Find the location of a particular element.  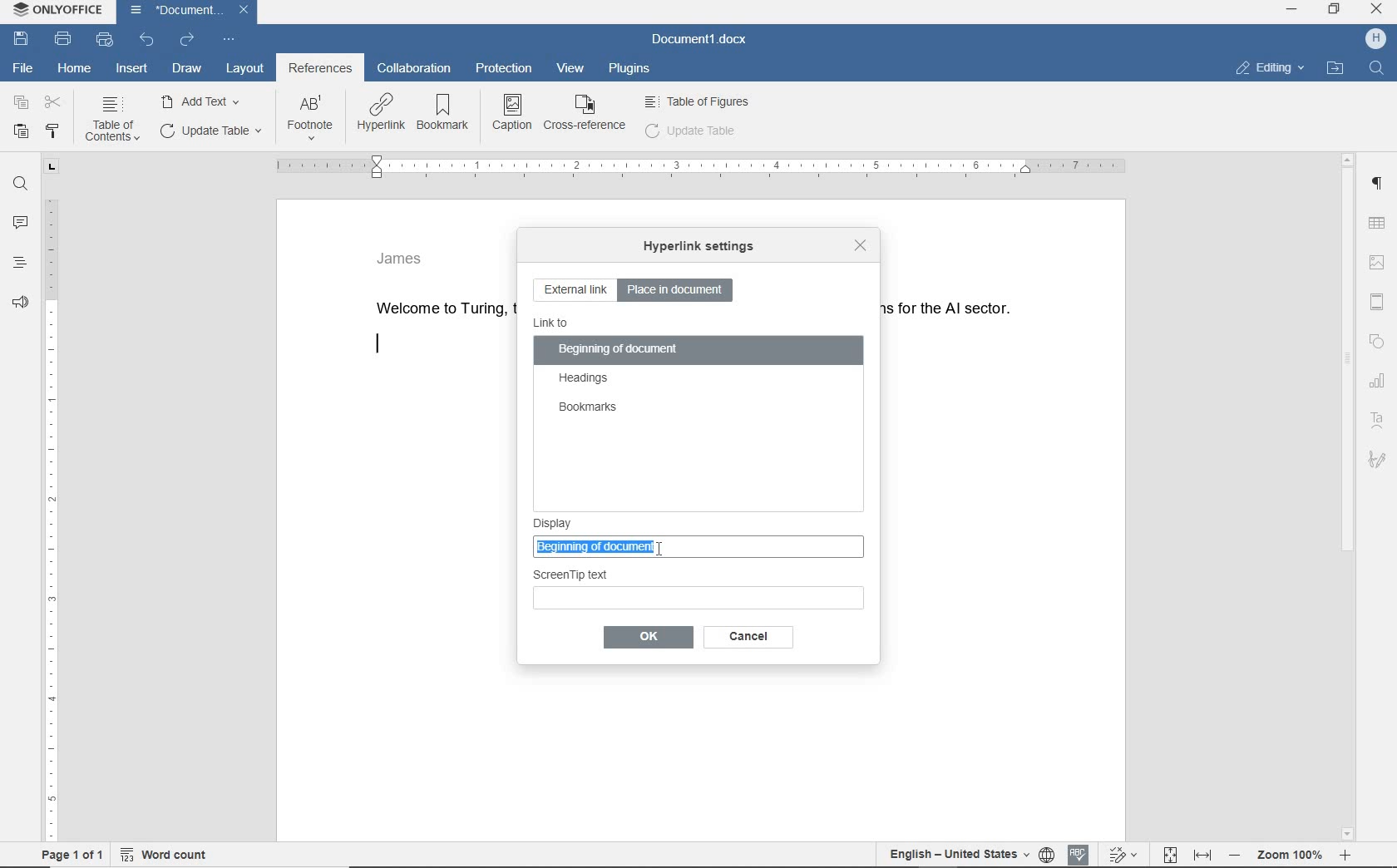

redo is located at coordinates (186, 40).